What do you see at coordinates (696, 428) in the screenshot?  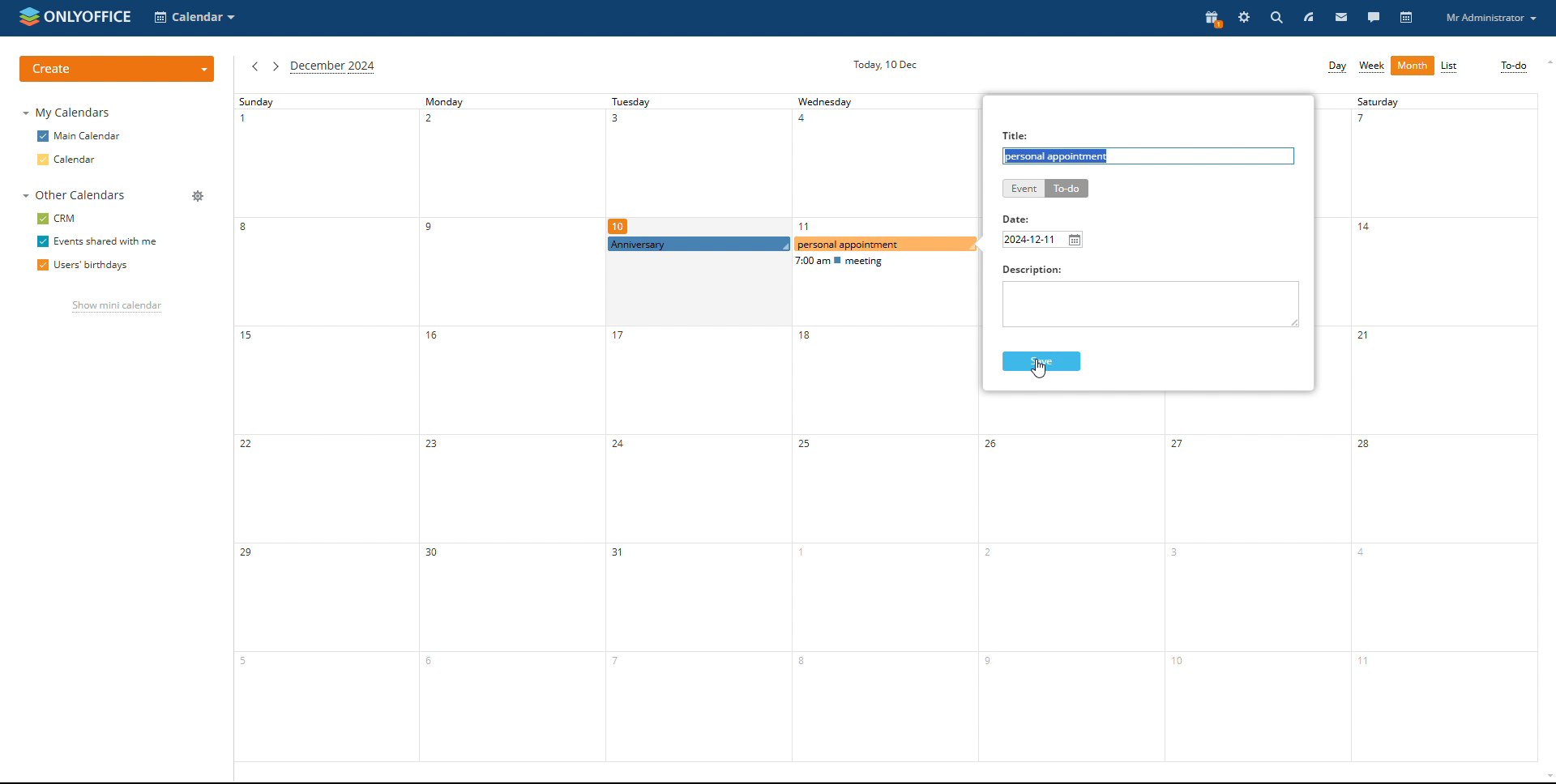 I see `tuesday` at bounding box center [696, 428].